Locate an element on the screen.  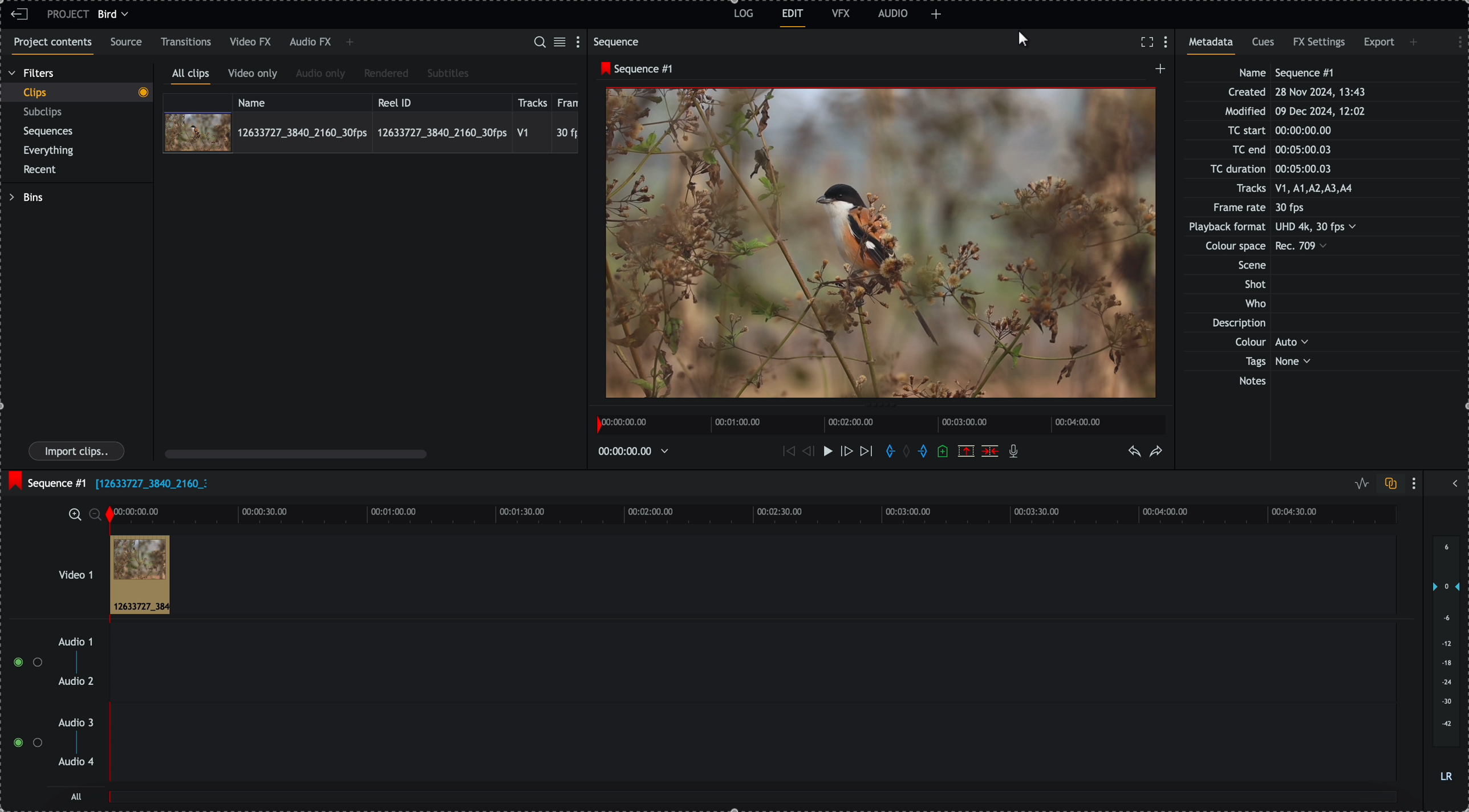
audio 1 is located at coordinates (71, 643).